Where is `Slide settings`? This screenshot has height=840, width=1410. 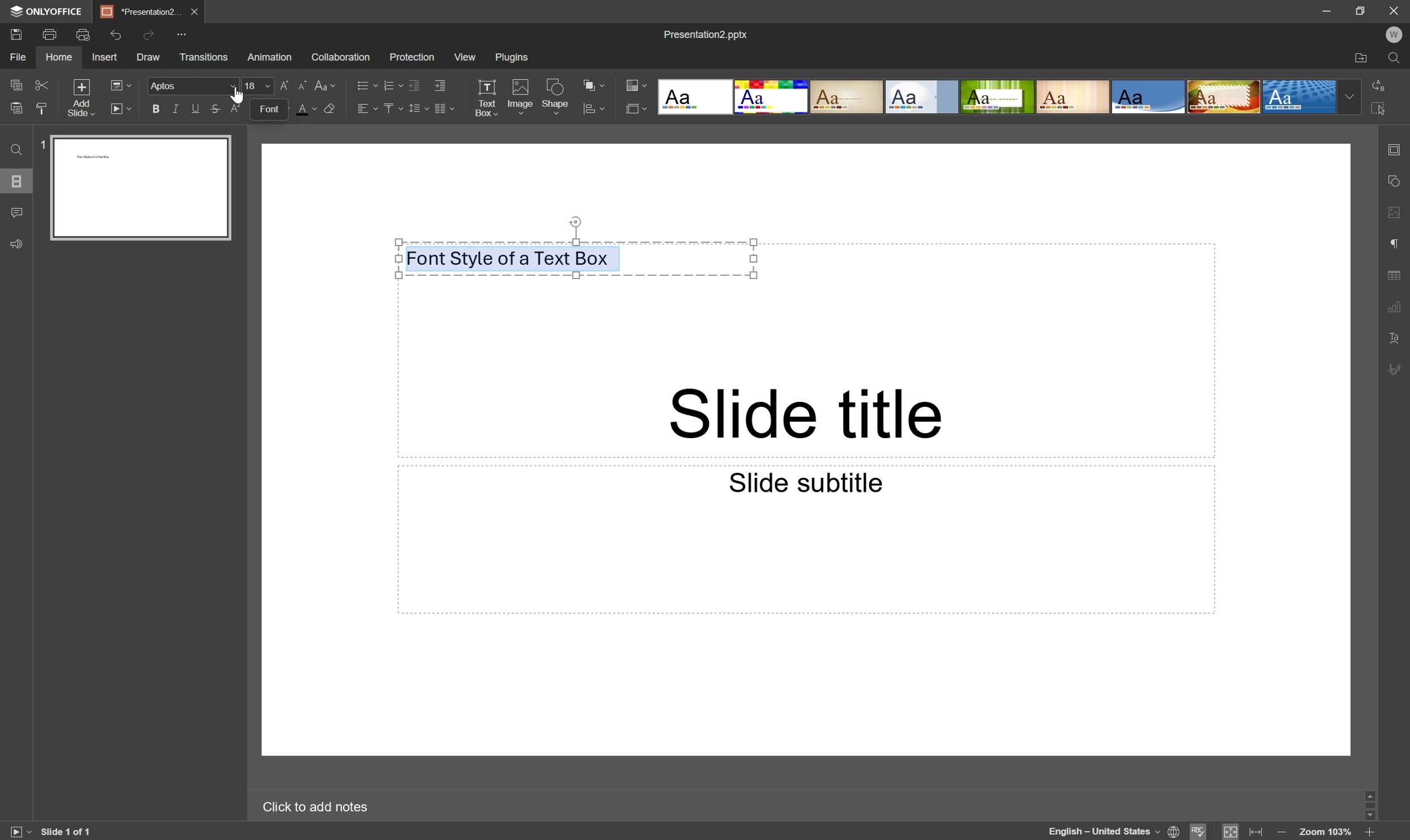 Slide settings is located at coordinates (1398, 149).